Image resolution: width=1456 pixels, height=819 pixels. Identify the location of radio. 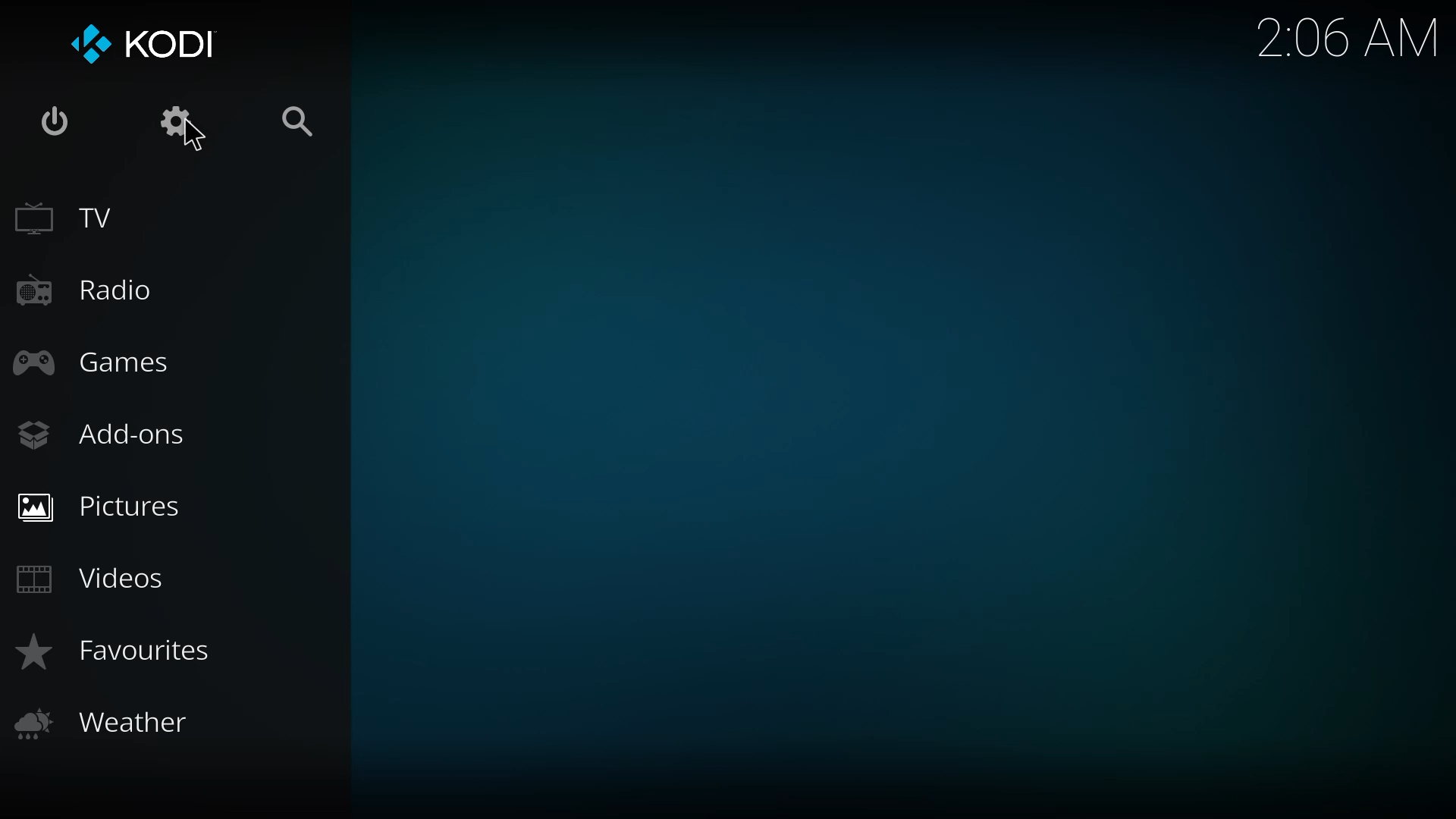
(92, 285).